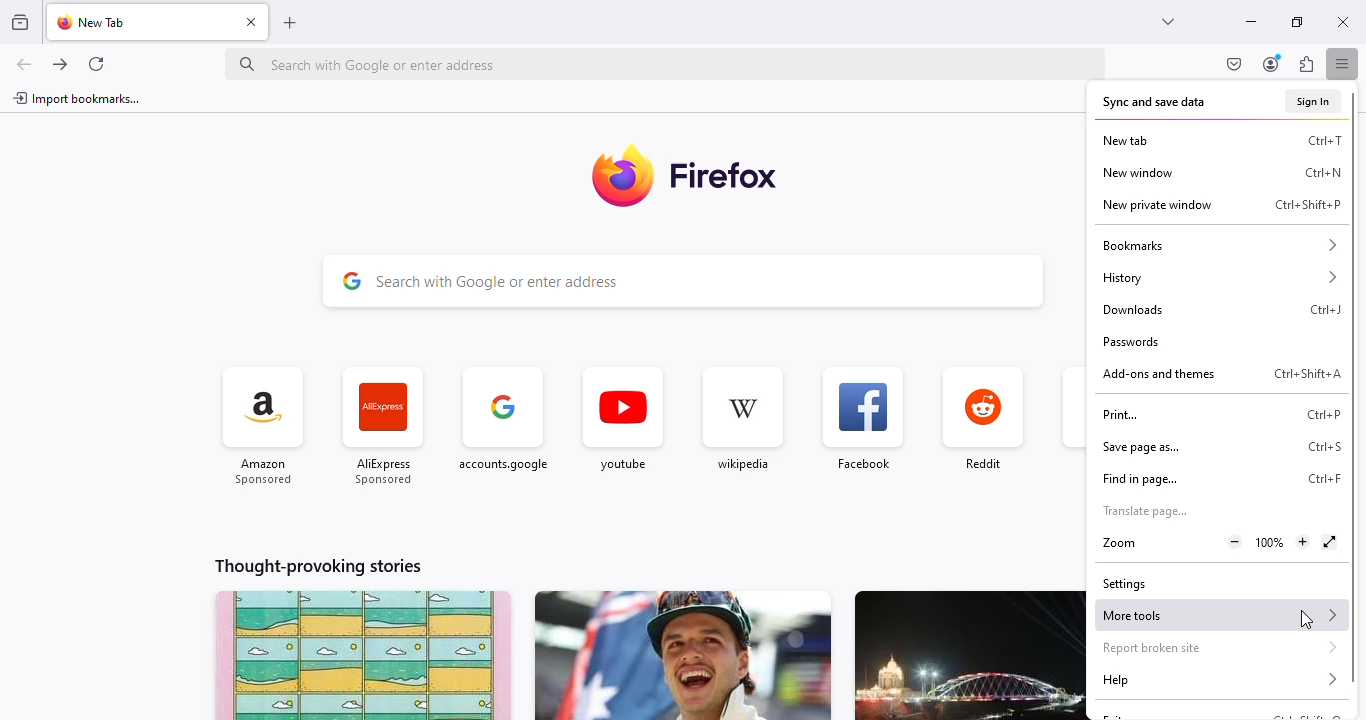 The image size is (1366, 720). I want to click on translate page, so click(1146, 512).